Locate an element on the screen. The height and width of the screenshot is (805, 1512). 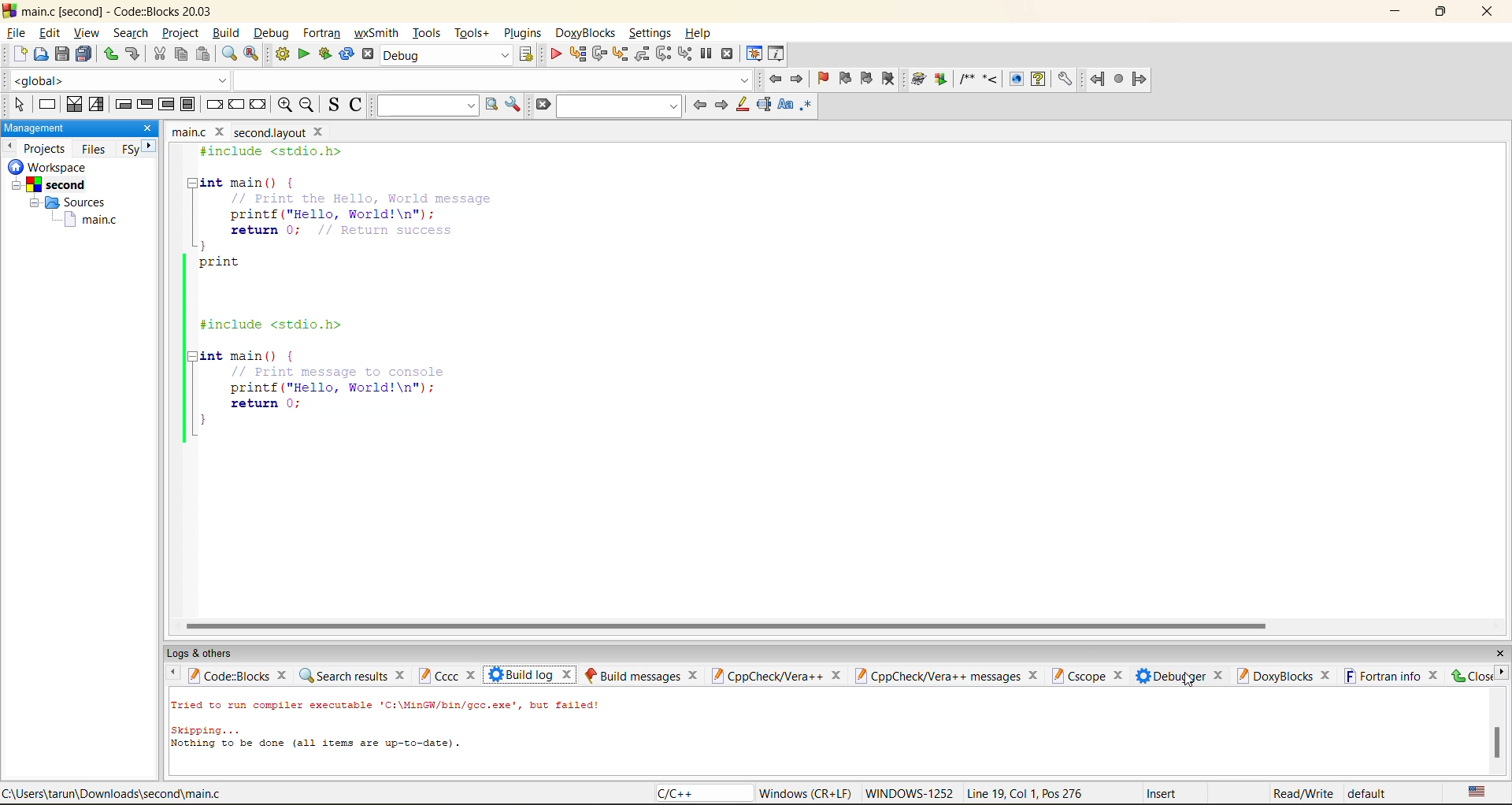
build target is located at coordinates (448, 55).